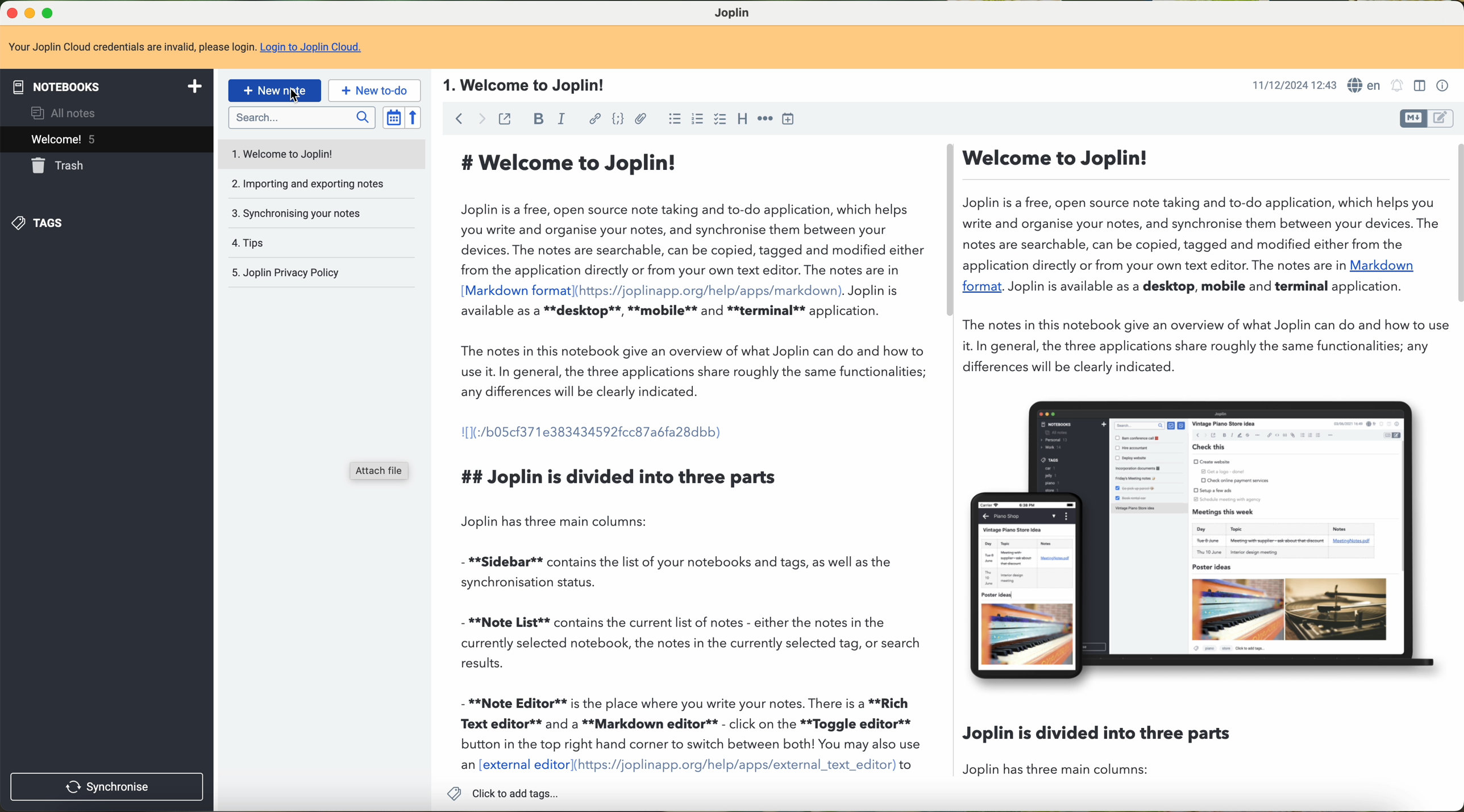 Image resolution: width=1464 pixels, height=812 pixels. What do you see at coordinates (1455, 224) in the screenshot?
I see `scroll bar` at bounding box center [1455, 224].